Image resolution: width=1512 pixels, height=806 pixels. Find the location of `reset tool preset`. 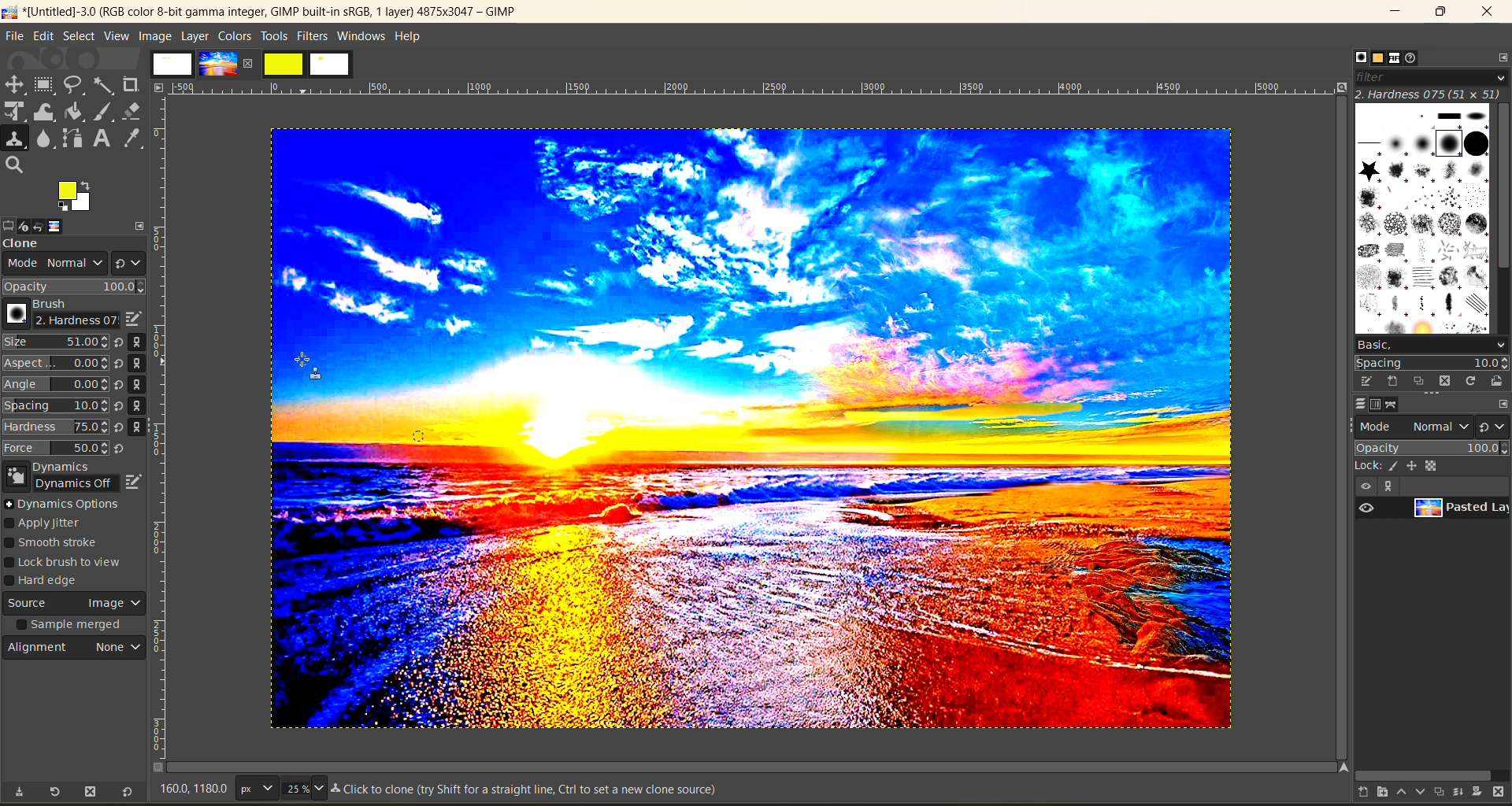

reset tool preset is located at coordinates (55, 791).